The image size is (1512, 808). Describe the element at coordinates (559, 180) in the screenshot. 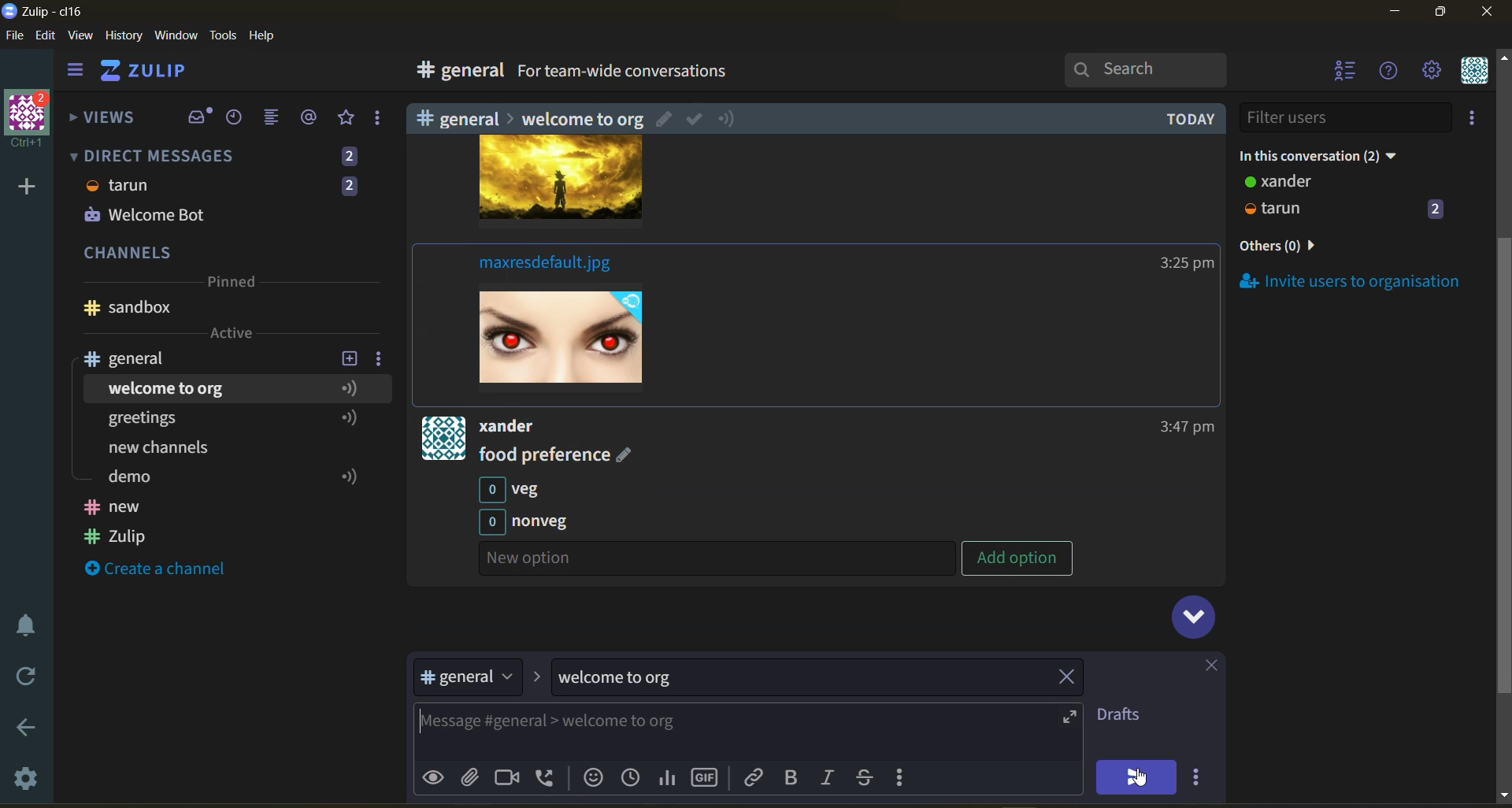

I see `image` at that location.